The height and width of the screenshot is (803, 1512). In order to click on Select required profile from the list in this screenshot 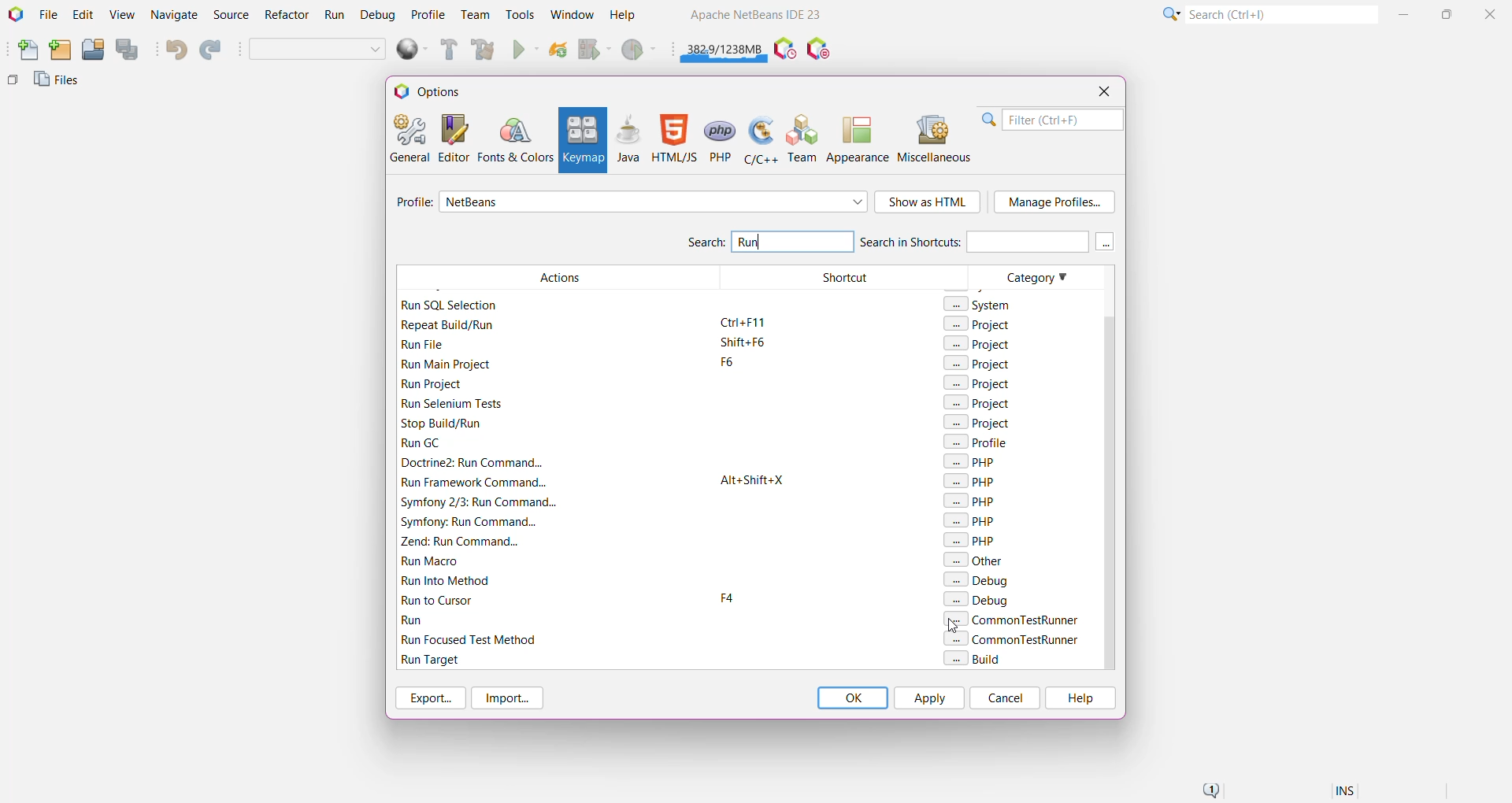, I will do `click(654, 202)`.